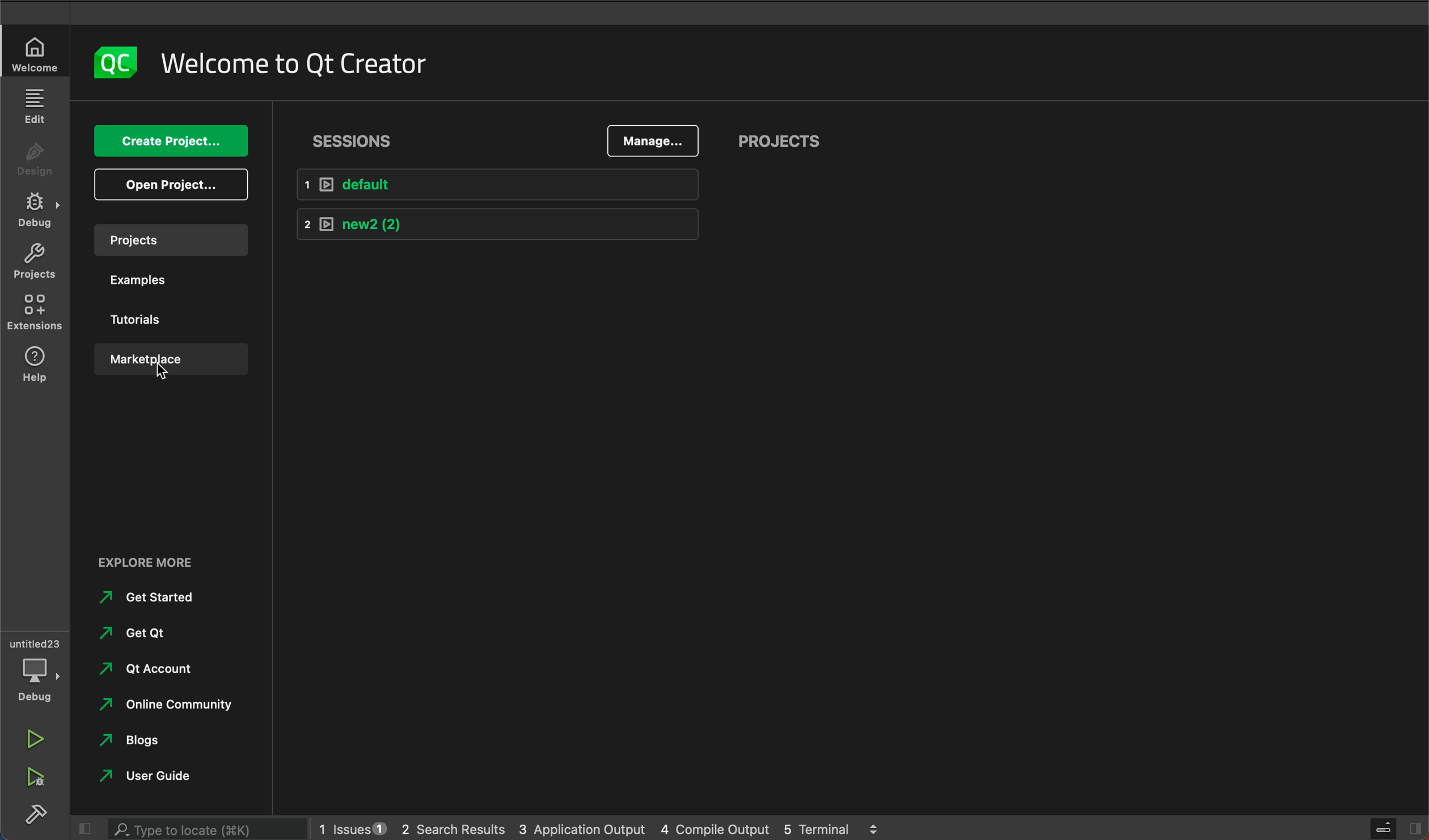 This screenshot has width=1429, height=840. I want to click on edit, so click(36, 106).